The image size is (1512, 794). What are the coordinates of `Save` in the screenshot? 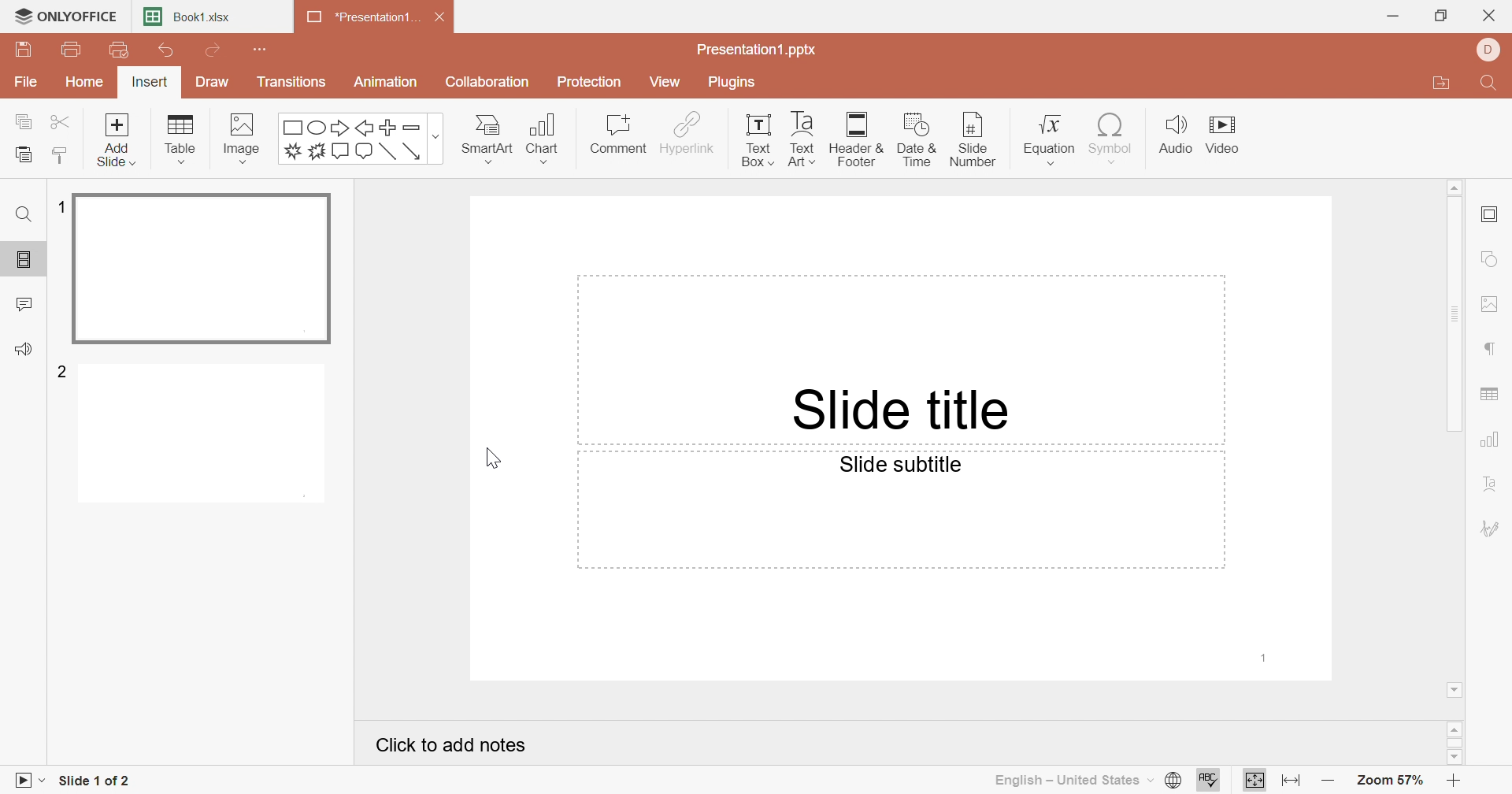 It's located at (23, 50).